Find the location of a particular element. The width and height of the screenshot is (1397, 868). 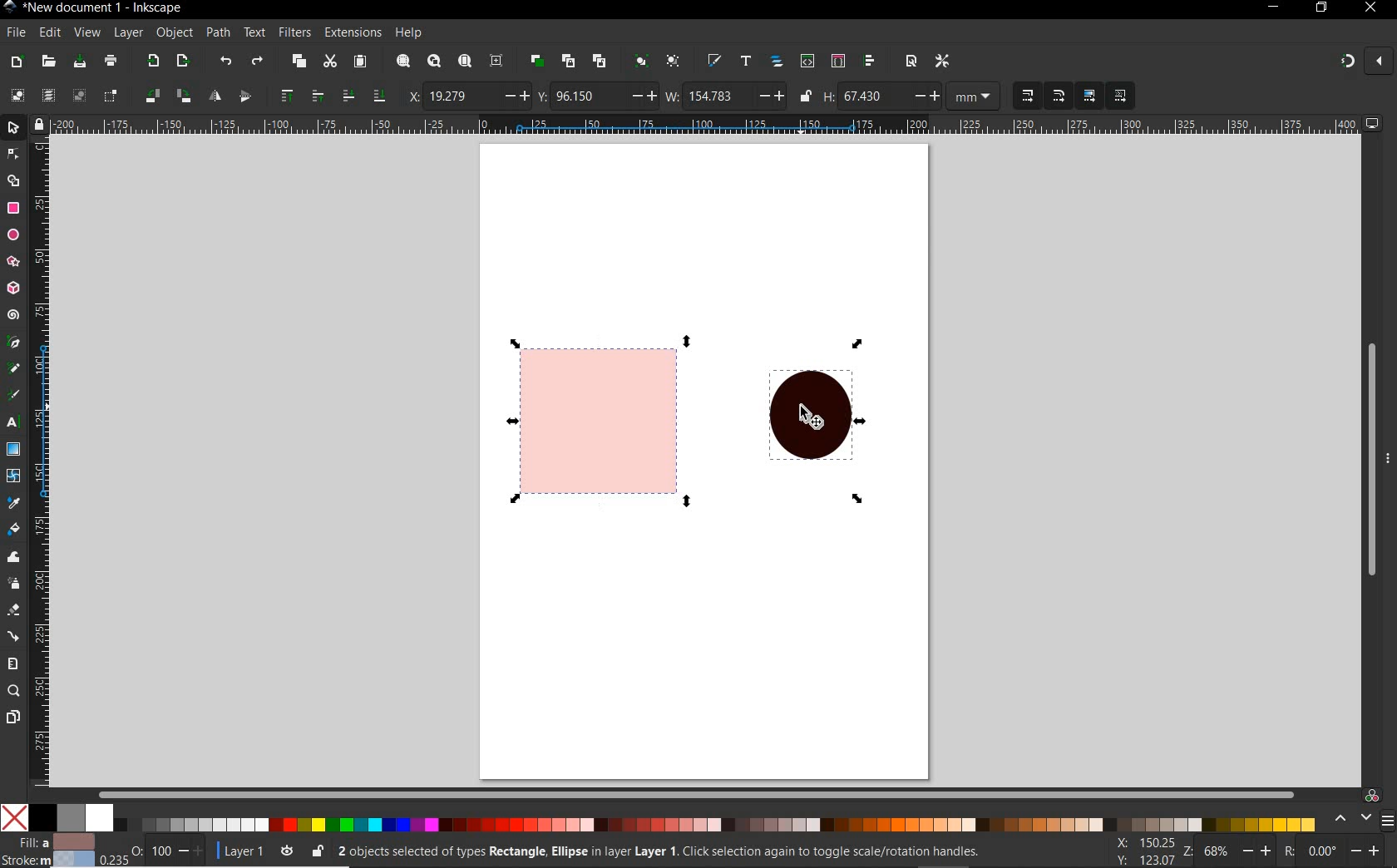

save is located at coordinates (80, 61).